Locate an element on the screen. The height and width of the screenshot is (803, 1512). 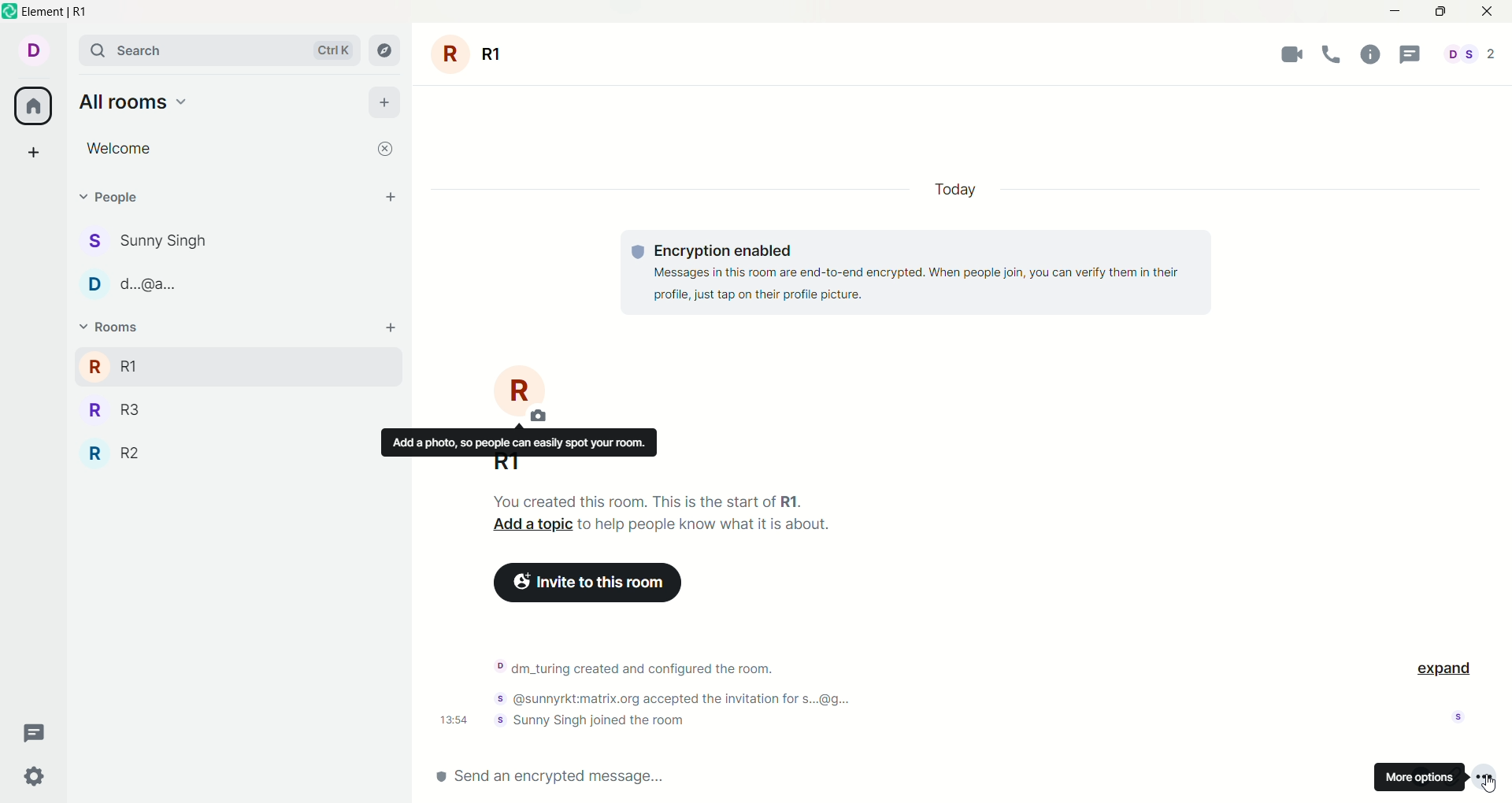
today is located at coordinates (955, 189).